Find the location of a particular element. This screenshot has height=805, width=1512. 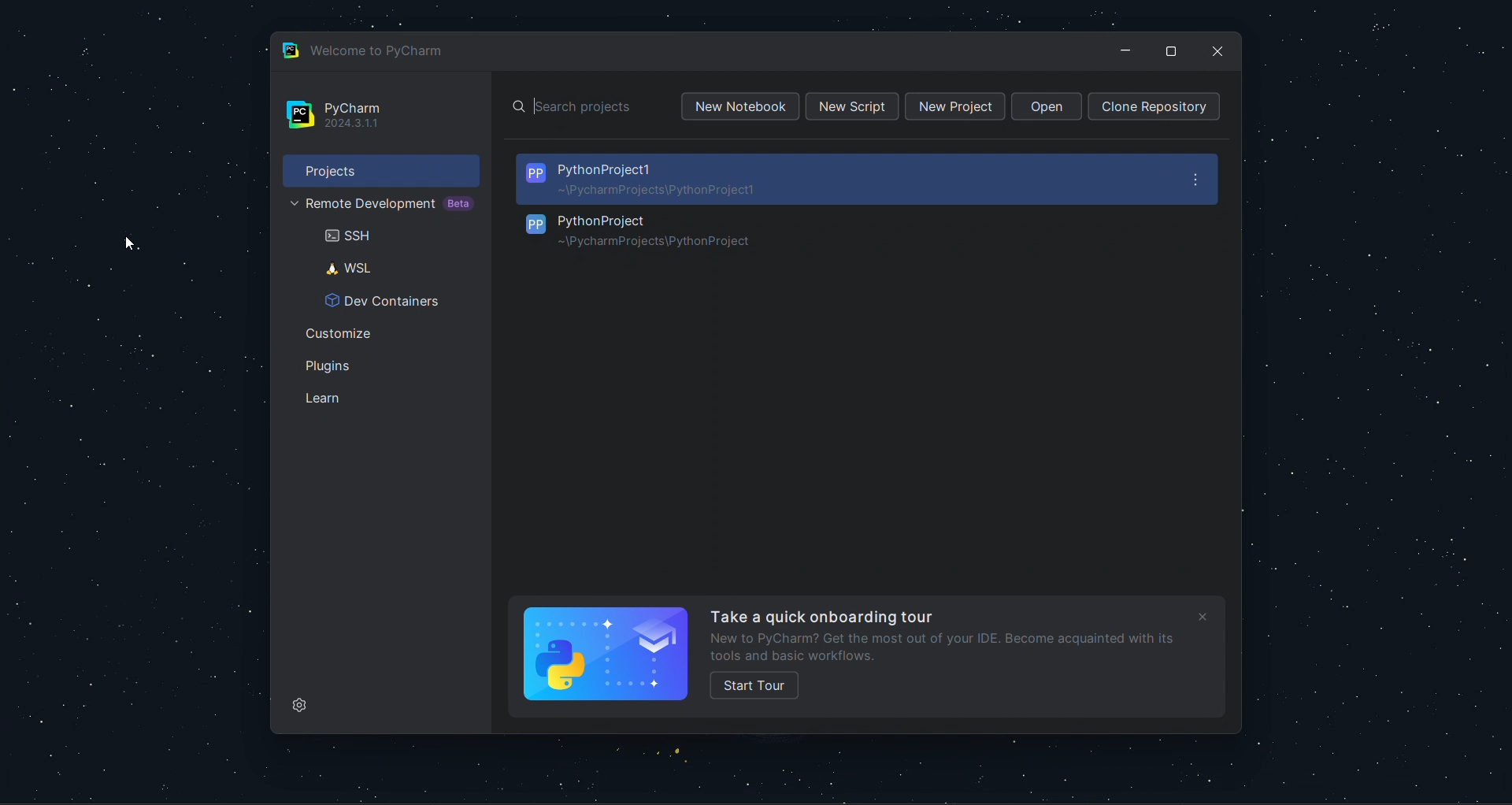

search bar is located at coordinates (578, 107).